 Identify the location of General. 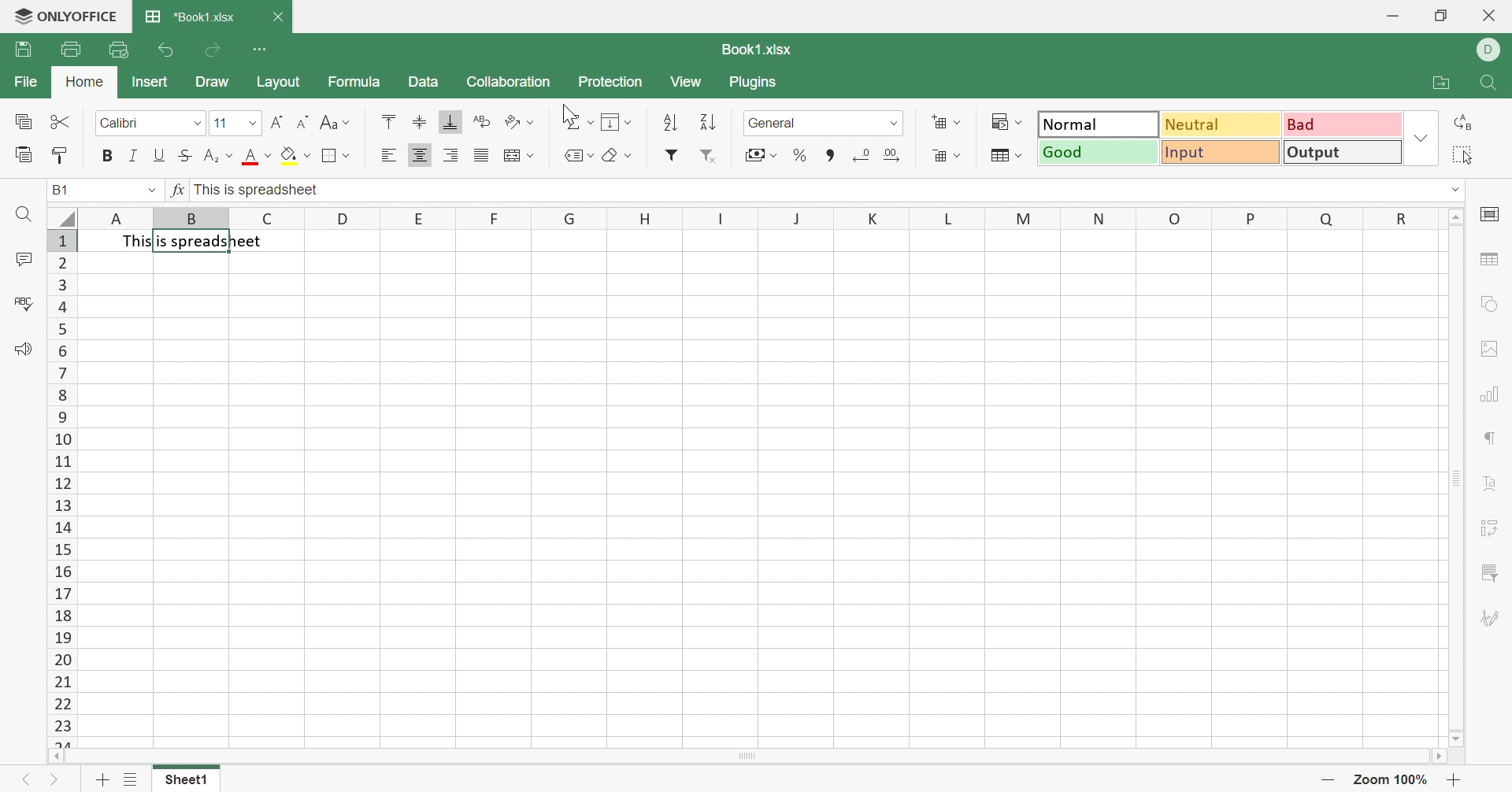
(774, 121).